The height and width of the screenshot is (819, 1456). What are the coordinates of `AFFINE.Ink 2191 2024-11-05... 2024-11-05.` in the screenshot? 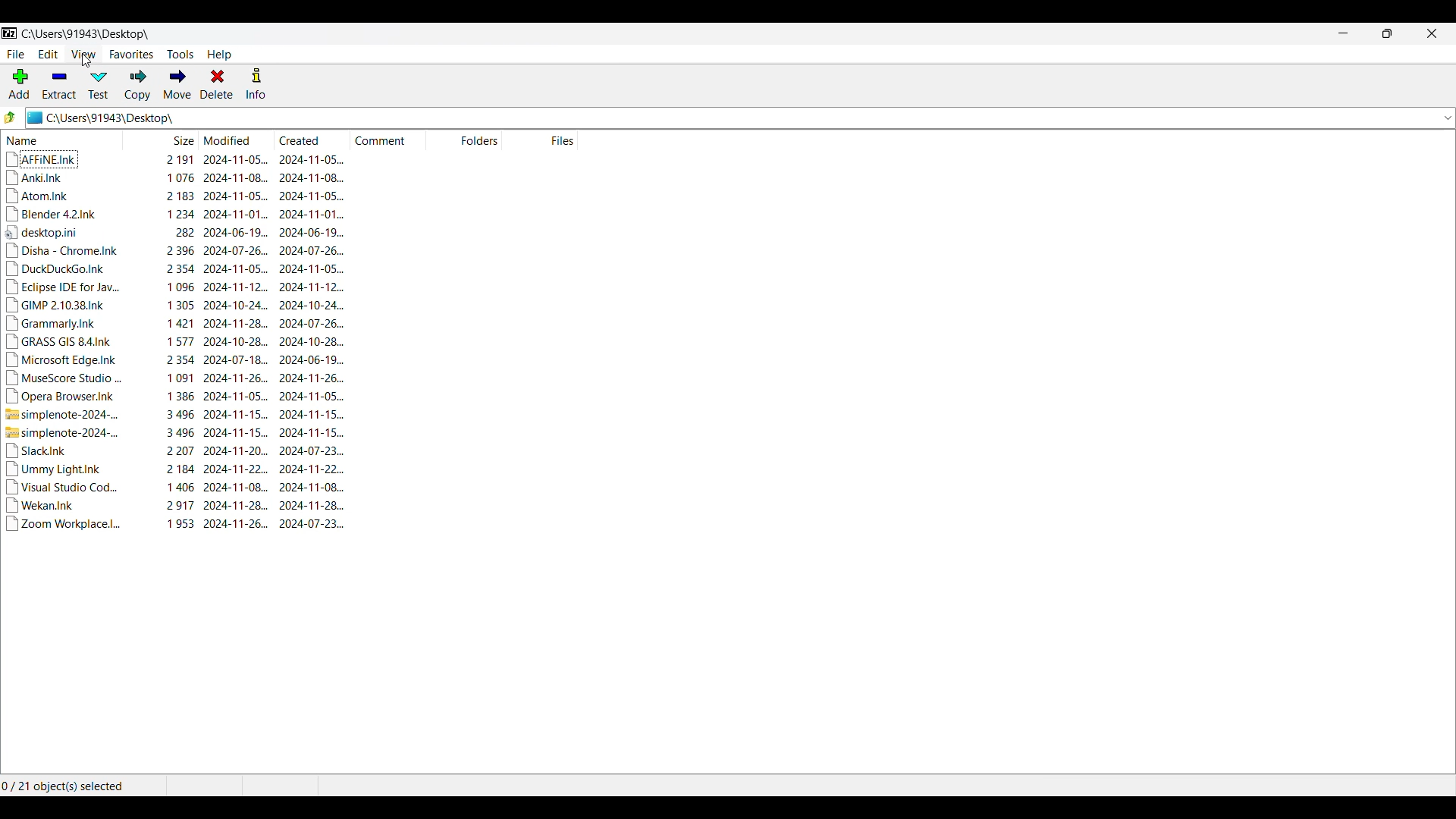 It's located at (188, 160).